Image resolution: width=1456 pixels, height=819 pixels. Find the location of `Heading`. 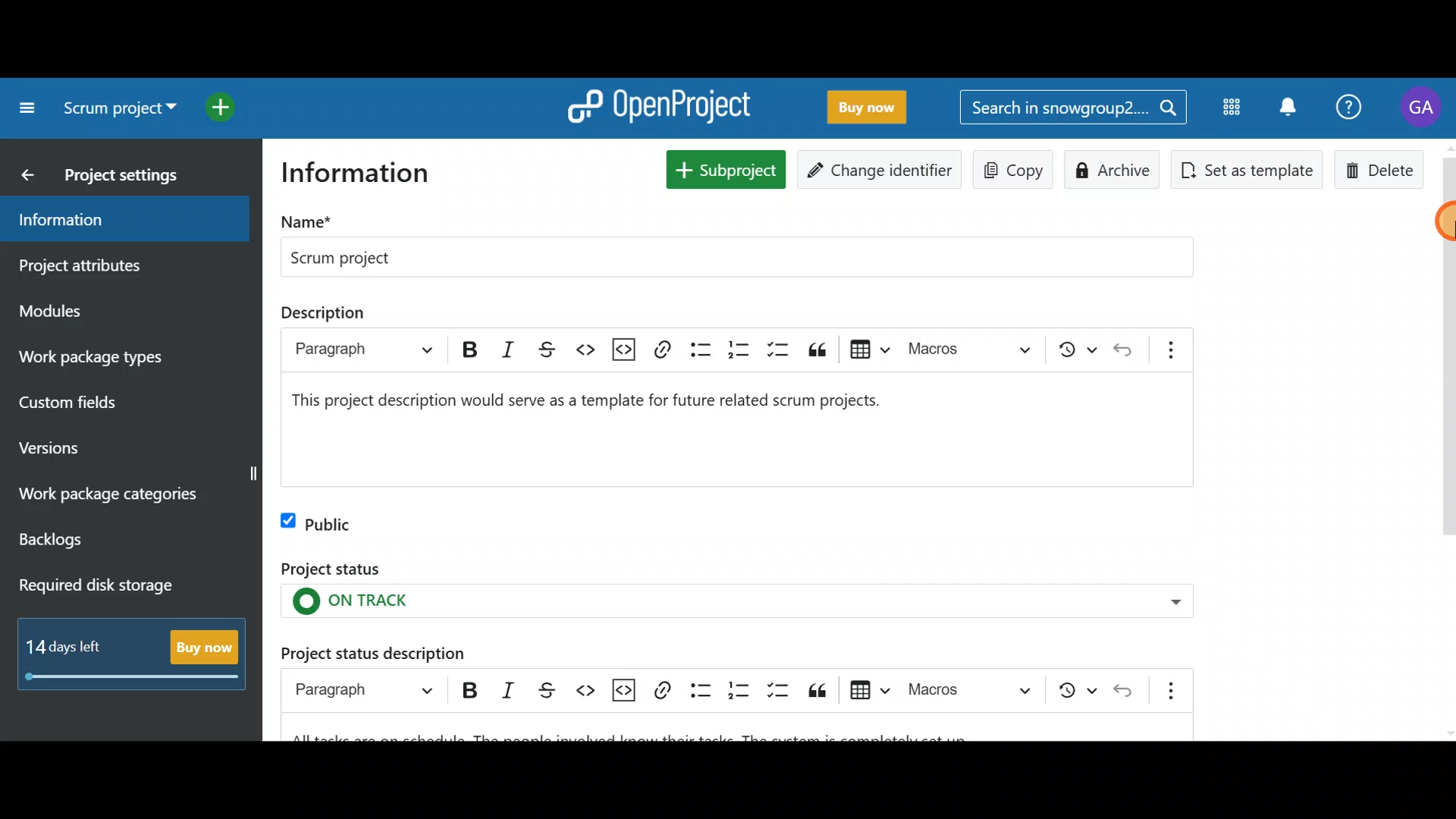

Heading is located at coordinates (363, 691).